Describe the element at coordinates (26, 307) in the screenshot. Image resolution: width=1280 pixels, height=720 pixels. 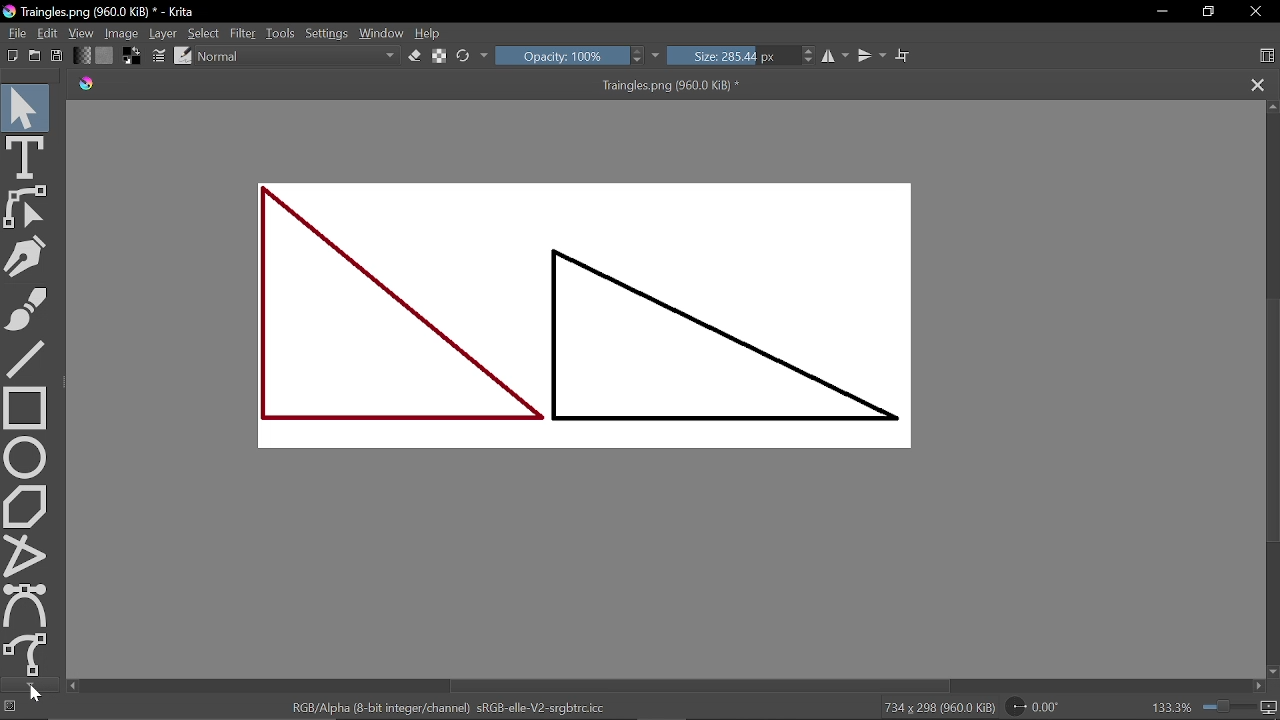
I see `Freehand brush tool` at that location.